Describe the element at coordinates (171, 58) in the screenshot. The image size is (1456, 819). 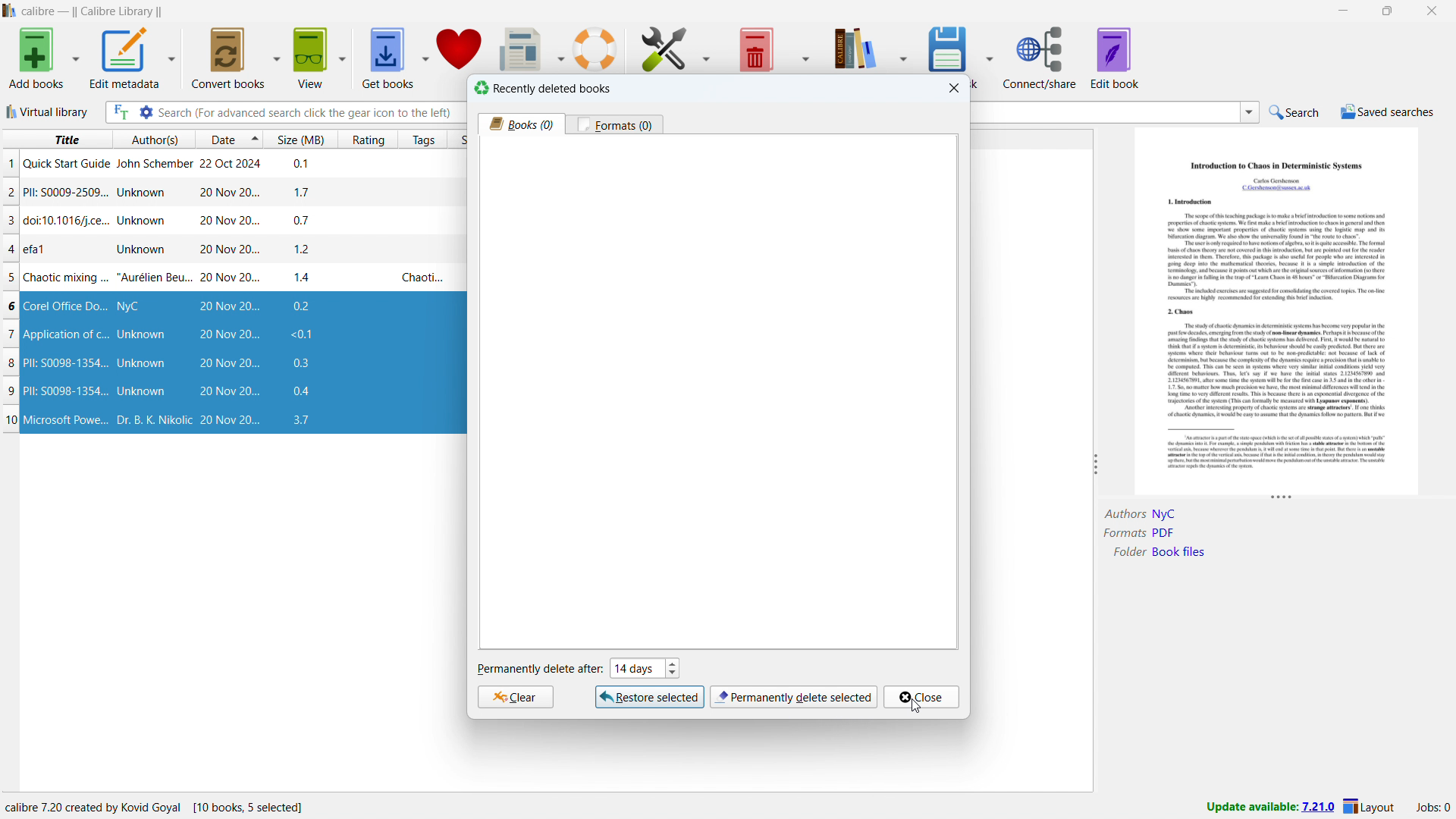
I see `edit metadata options` at that location.